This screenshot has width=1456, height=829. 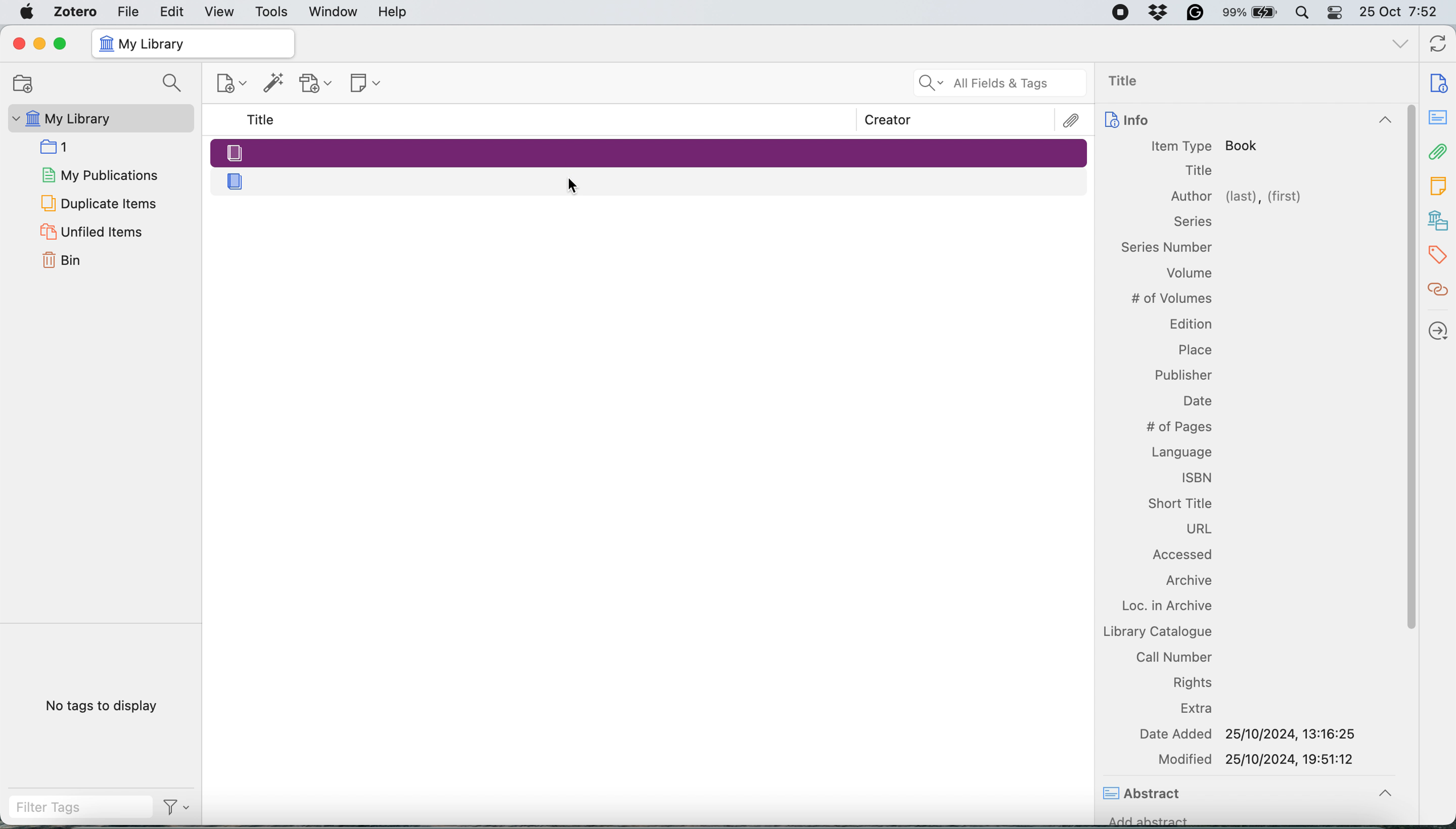 I want to click on Filter Tags, so click(x=80, y=807).